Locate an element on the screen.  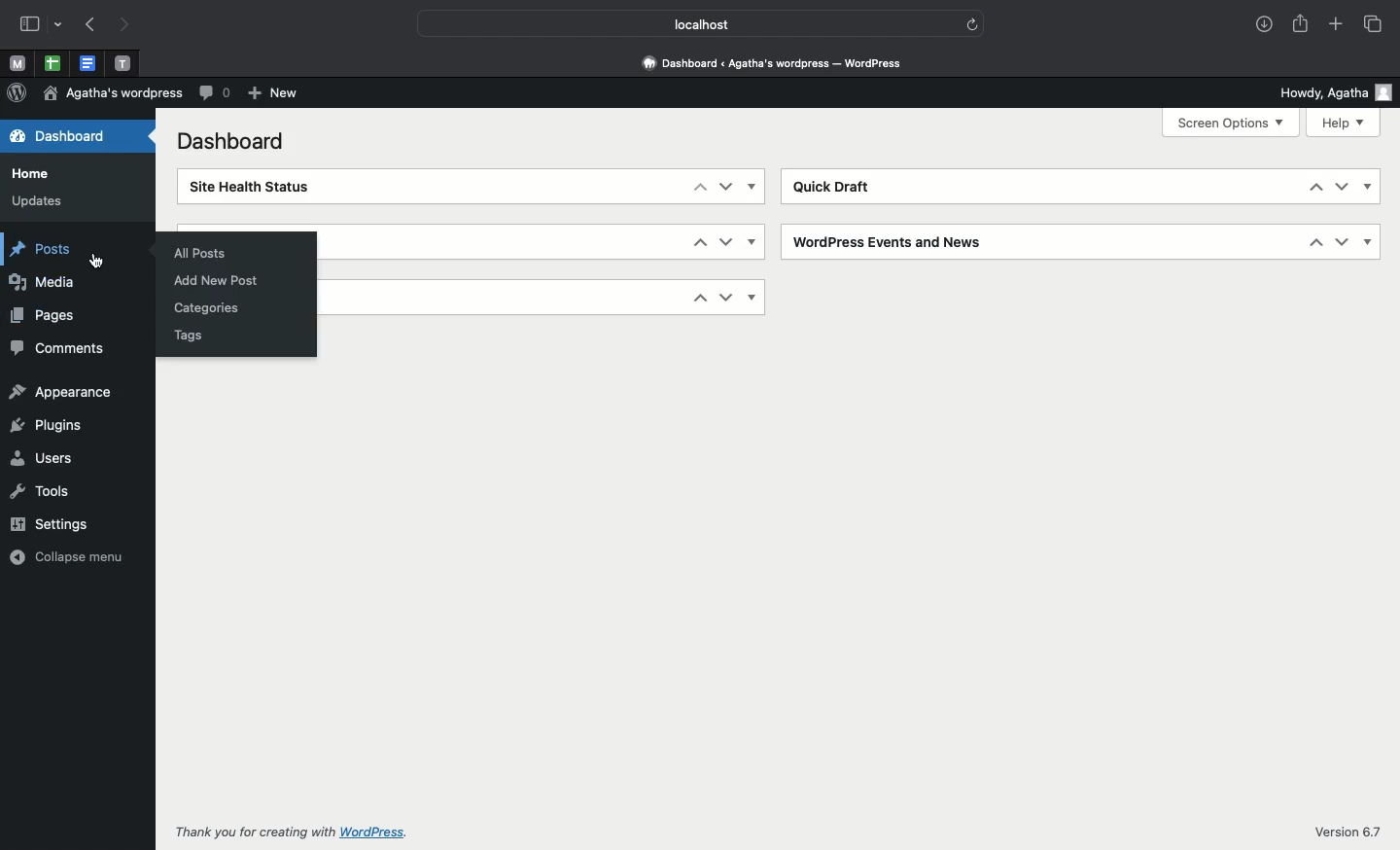
Updates is located at coordinates (35, 201).